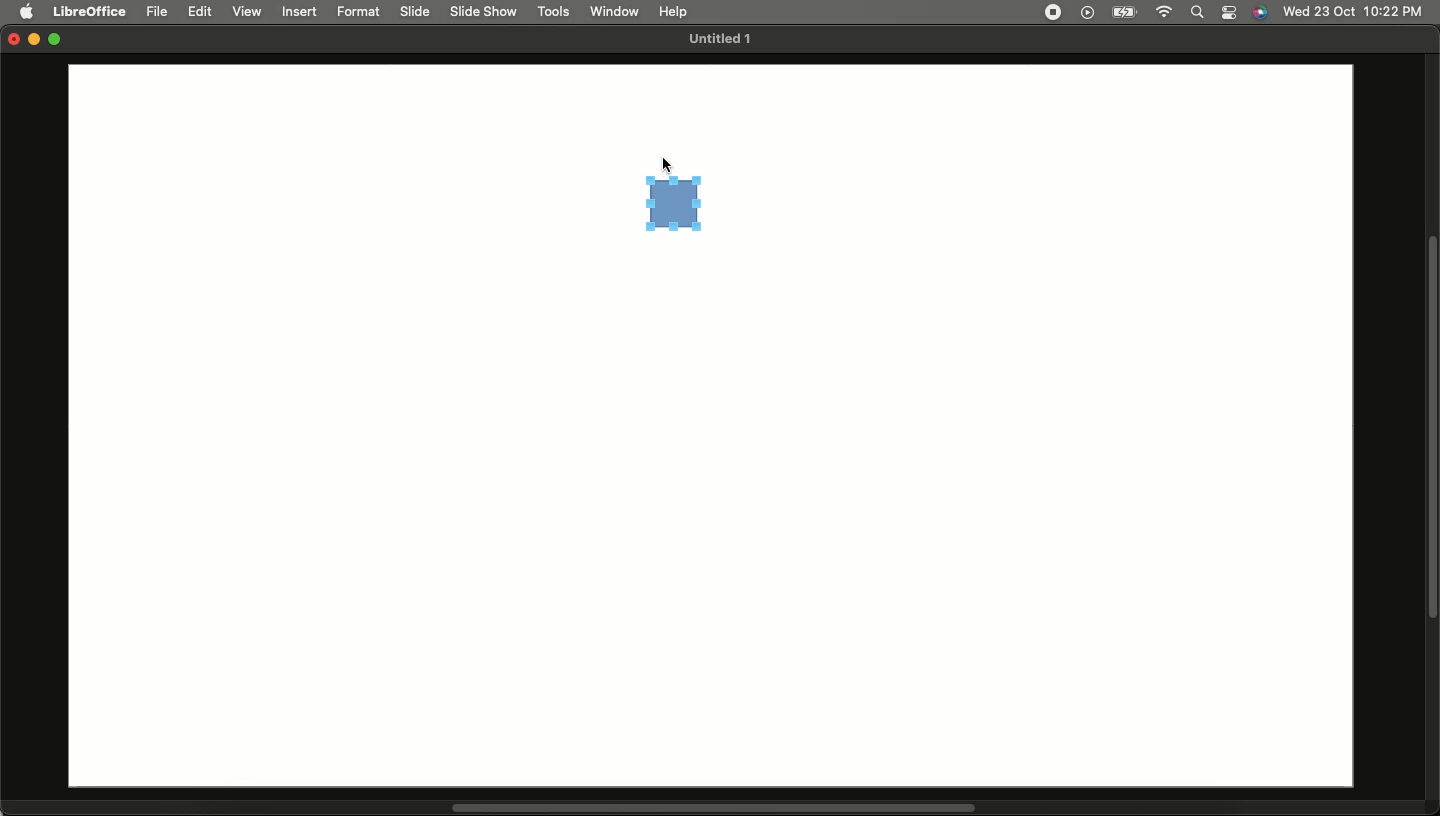 The image size is (1440, 816). I want to click on Recording, so click(1052, 11).